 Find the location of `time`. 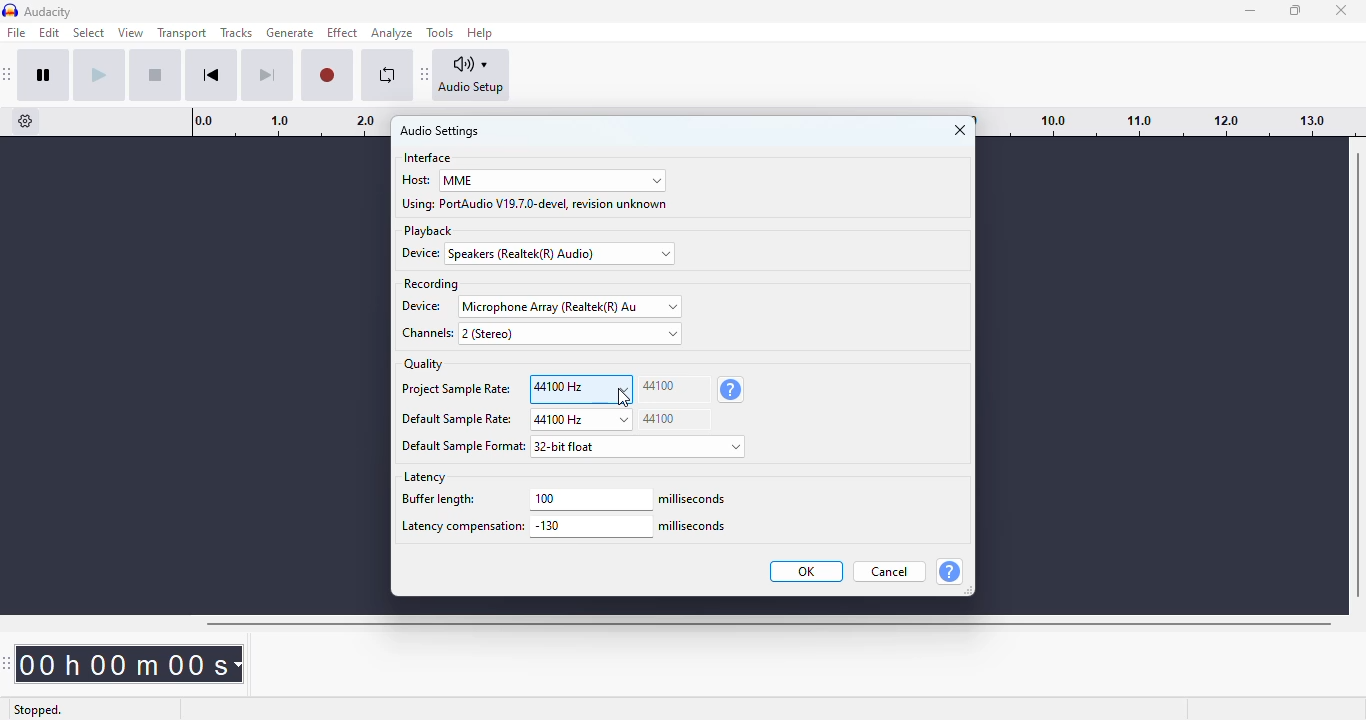

time is located at coordinates (134, 663).